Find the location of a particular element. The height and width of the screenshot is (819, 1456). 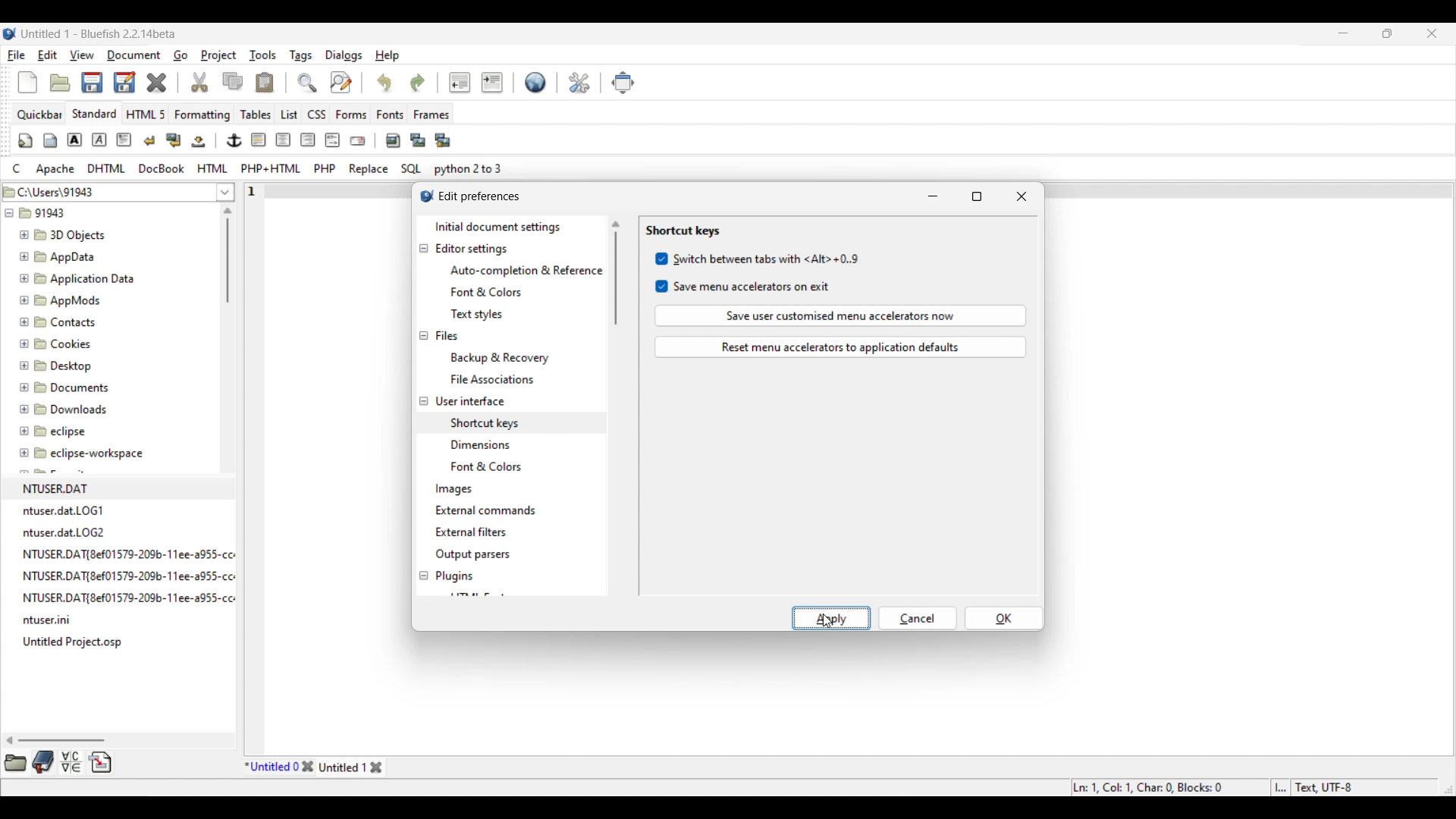

External filters is located at coordinates (471, 532).